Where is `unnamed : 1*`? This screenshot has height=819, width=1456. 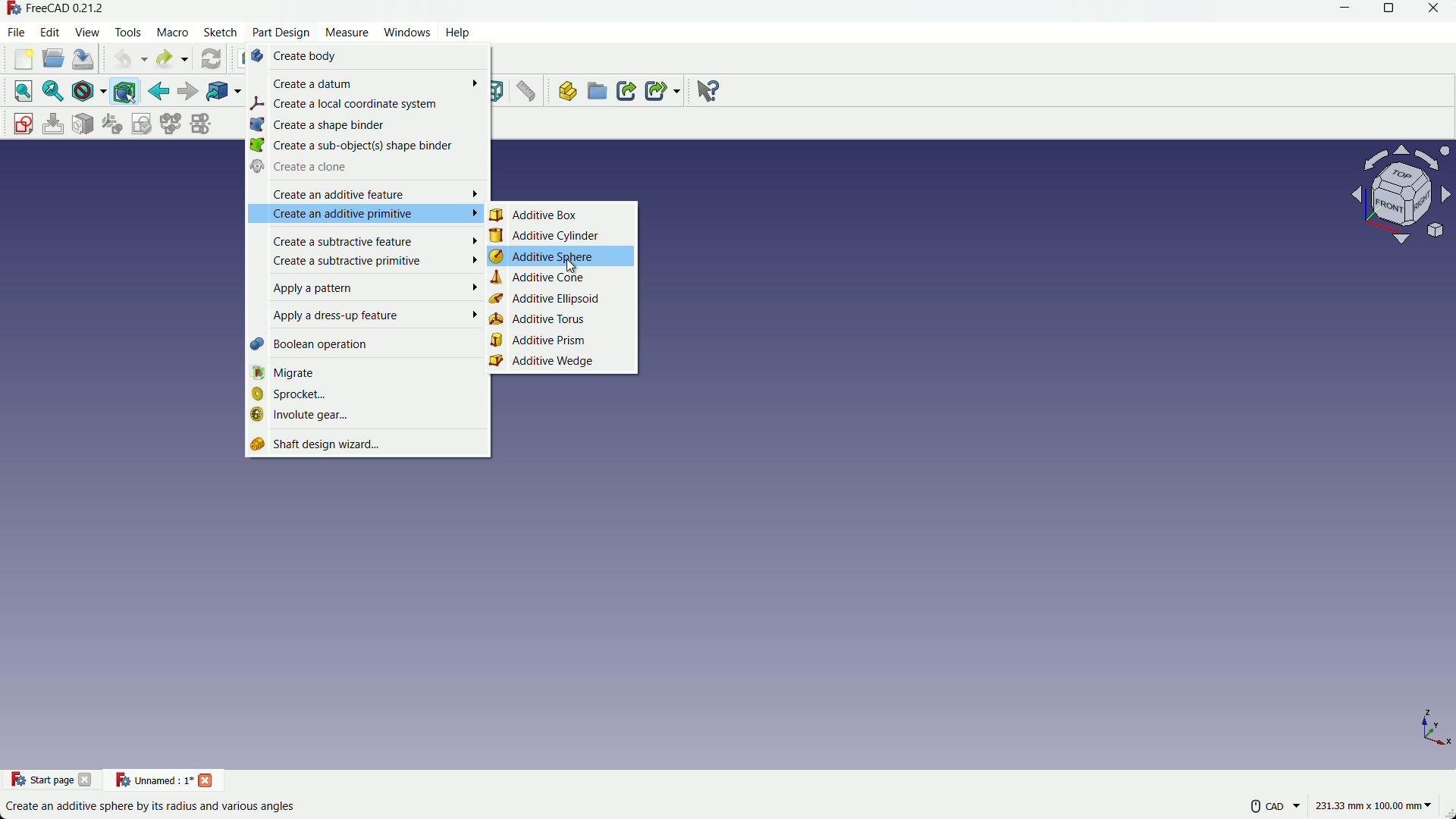
unnamed : 1* is located at coordinates (143, 782).